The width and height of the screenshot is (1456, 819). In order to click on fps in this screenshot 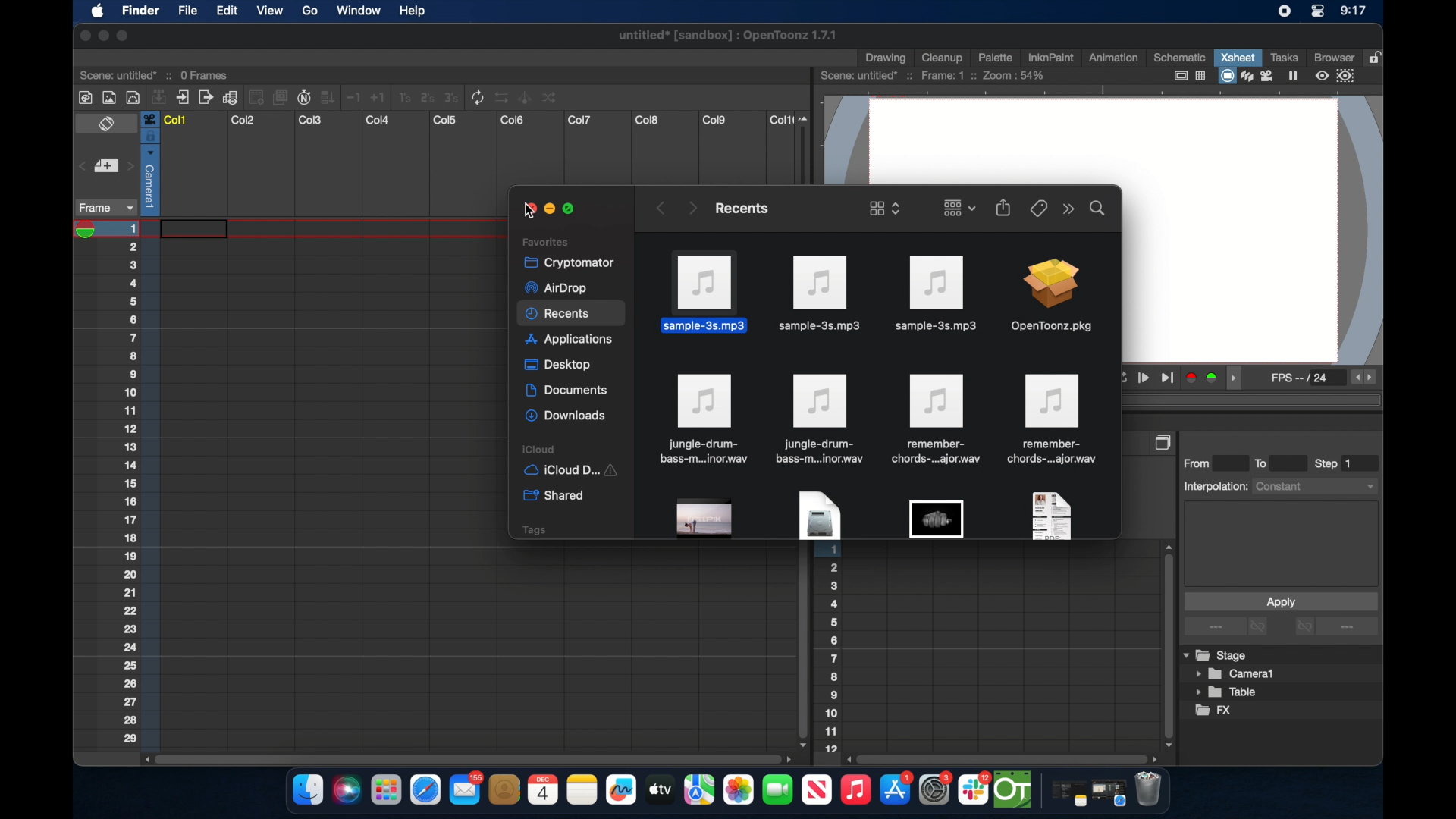, I will do `click(1365, 378)`.